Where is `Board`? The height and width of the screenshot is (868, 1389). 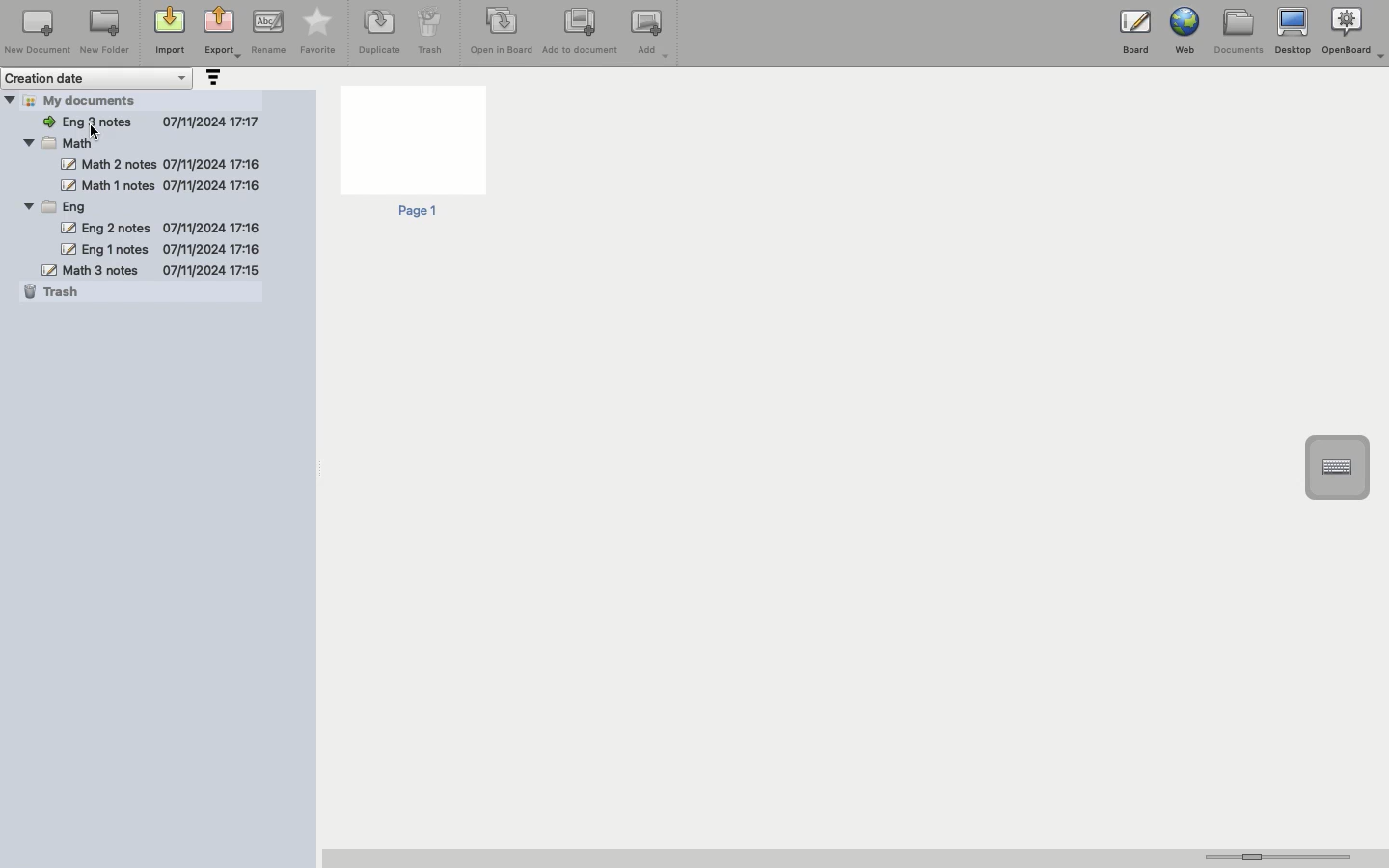 Board is located at coordinates (1135, 36).